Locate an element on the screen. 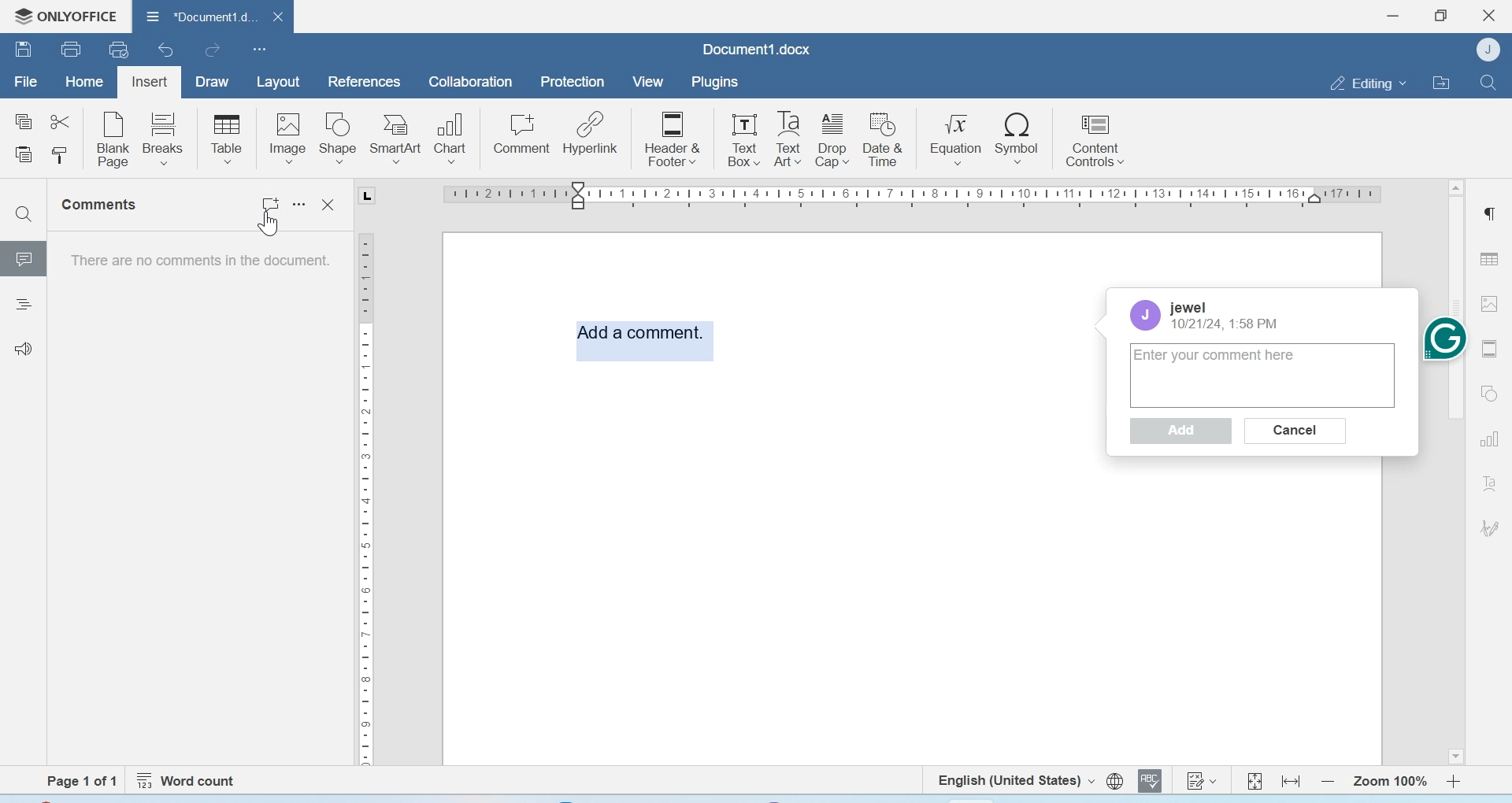 Image resolution: width=1512 pixels, height=803 pixels. Save is located at coordinates (23, 48).